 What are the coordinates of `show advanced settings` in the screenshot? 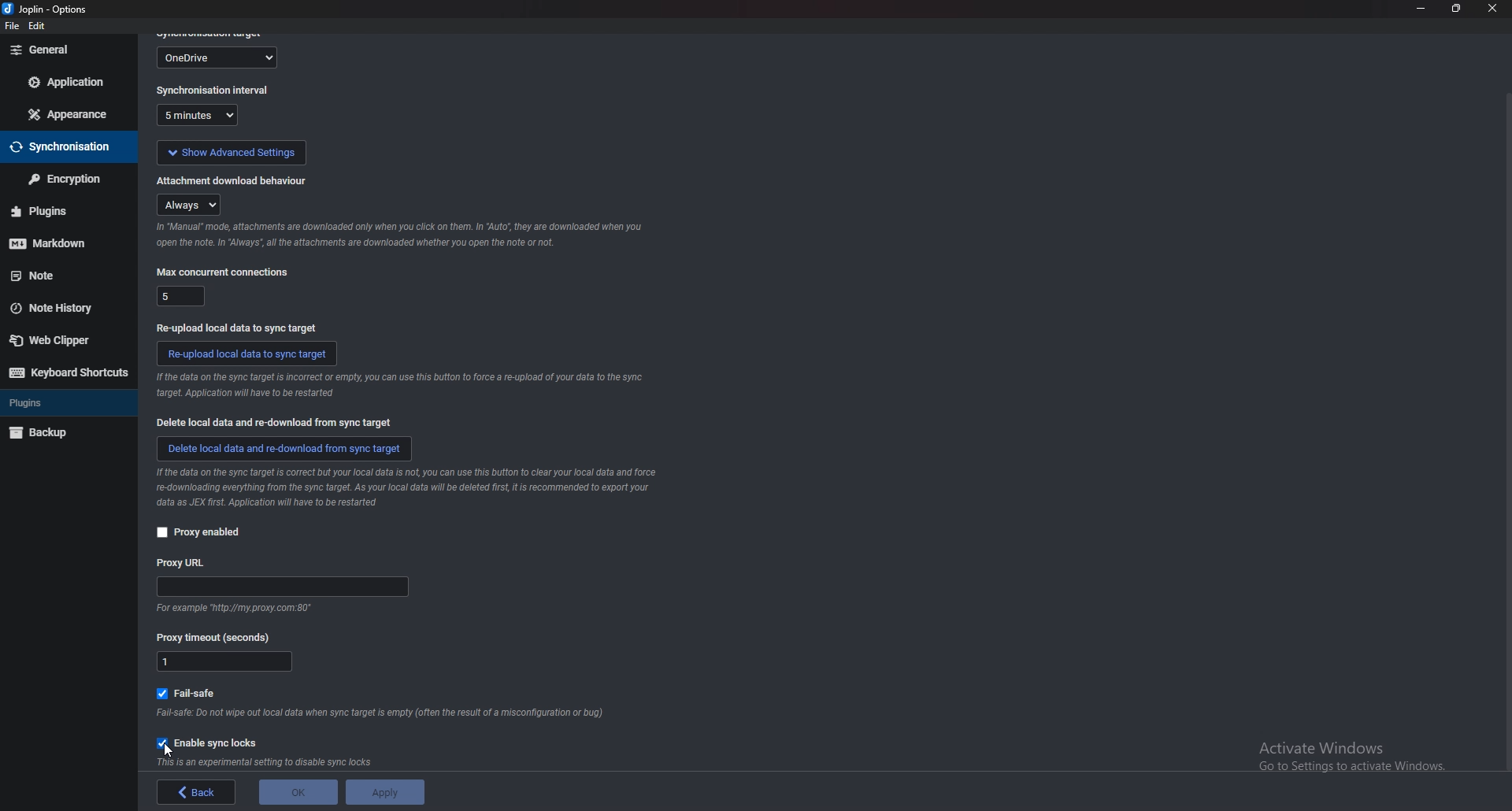 It's located at (230, 150).